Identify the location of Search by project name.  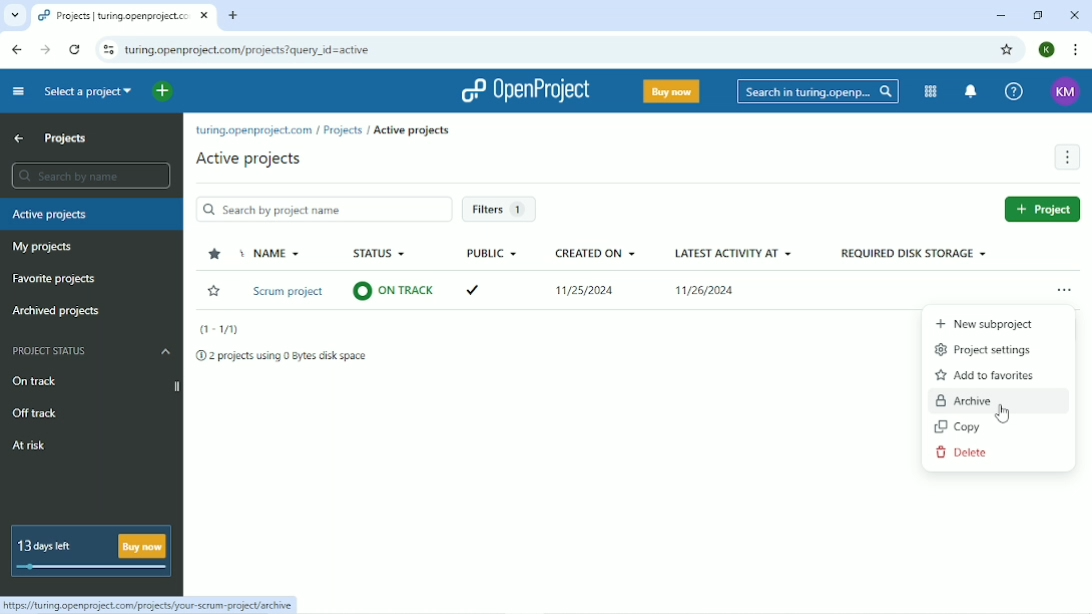
(323, 209).